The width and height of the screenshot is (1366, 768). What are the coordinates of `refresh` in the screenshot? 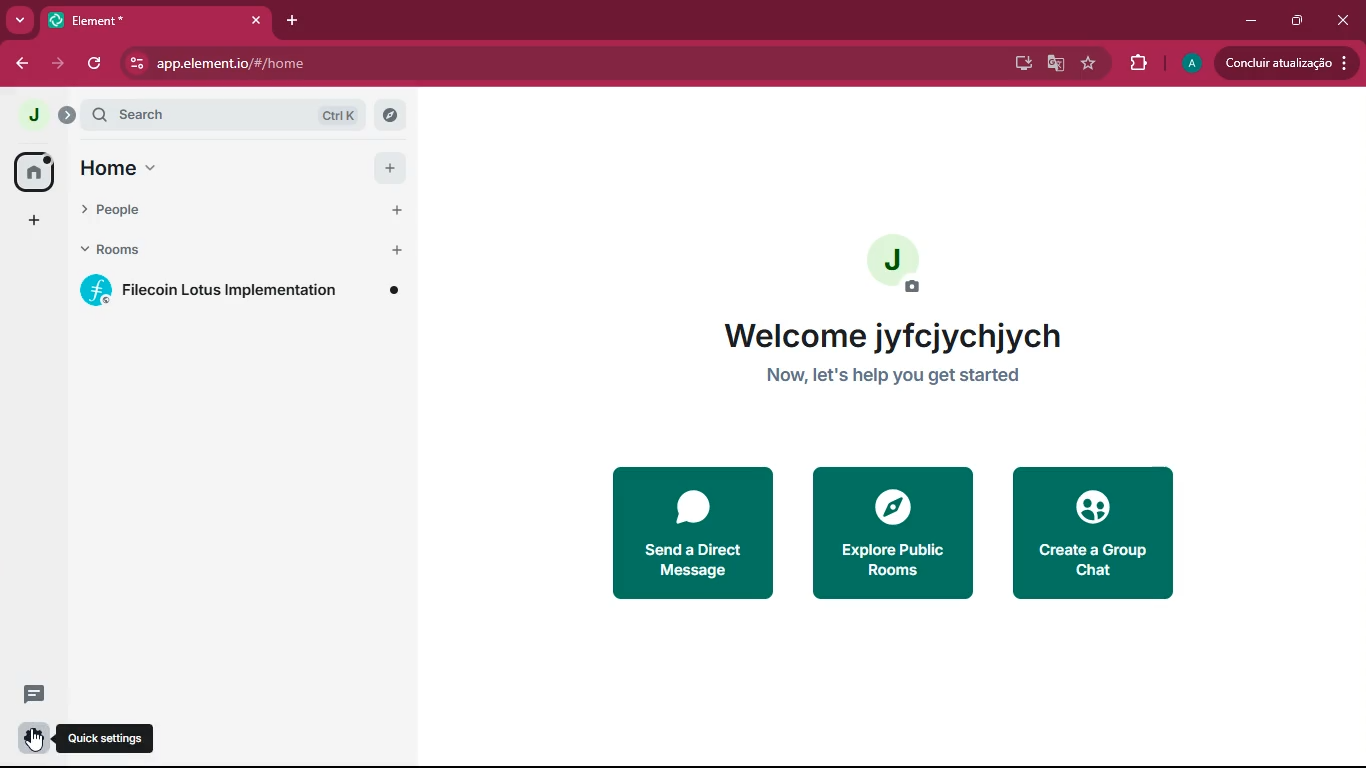 It's located at (96, 65).